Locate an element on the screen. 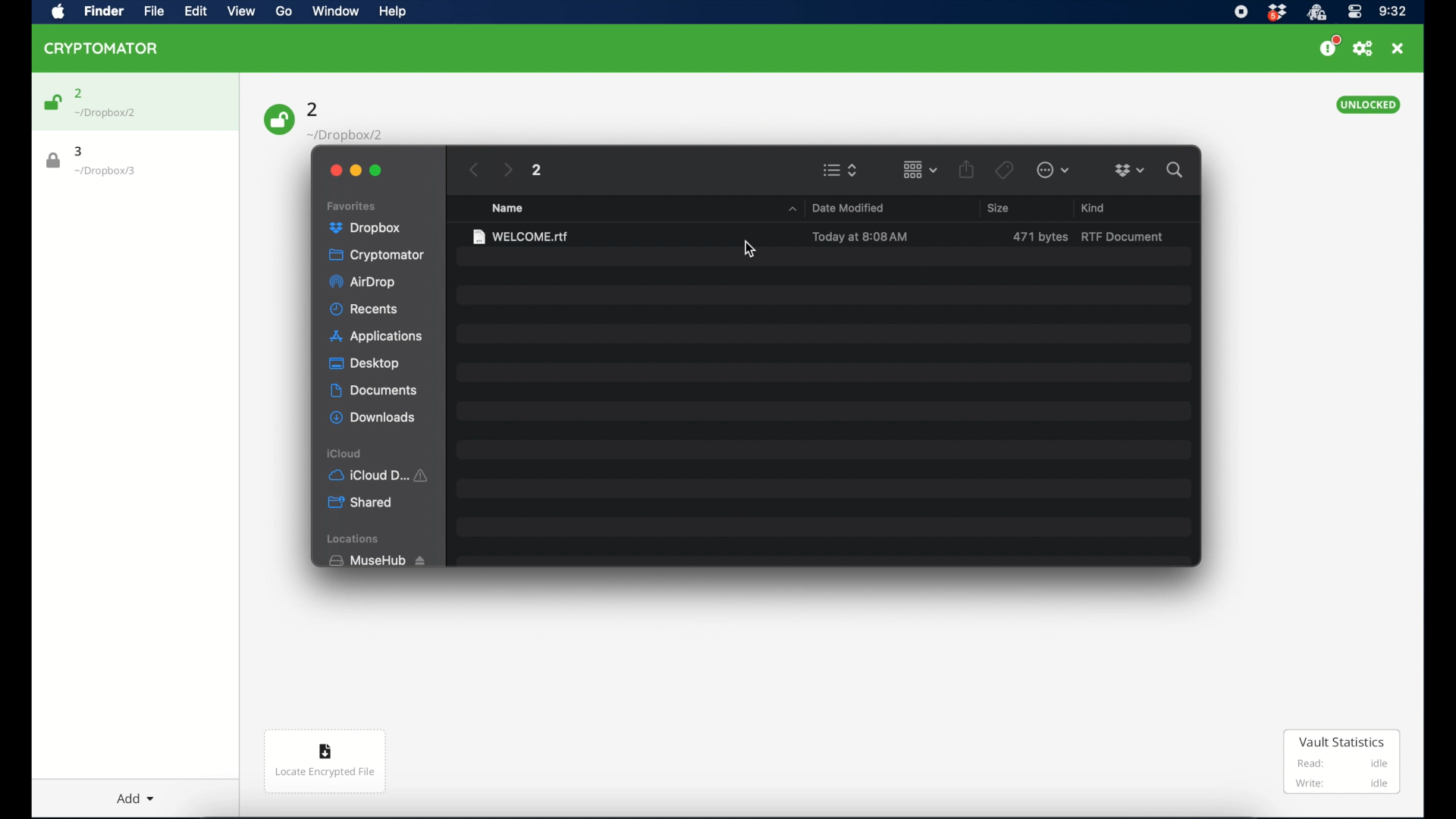 The width and height of the screenshot is (1456, 819). 2 is located at coordinates (315, 108).